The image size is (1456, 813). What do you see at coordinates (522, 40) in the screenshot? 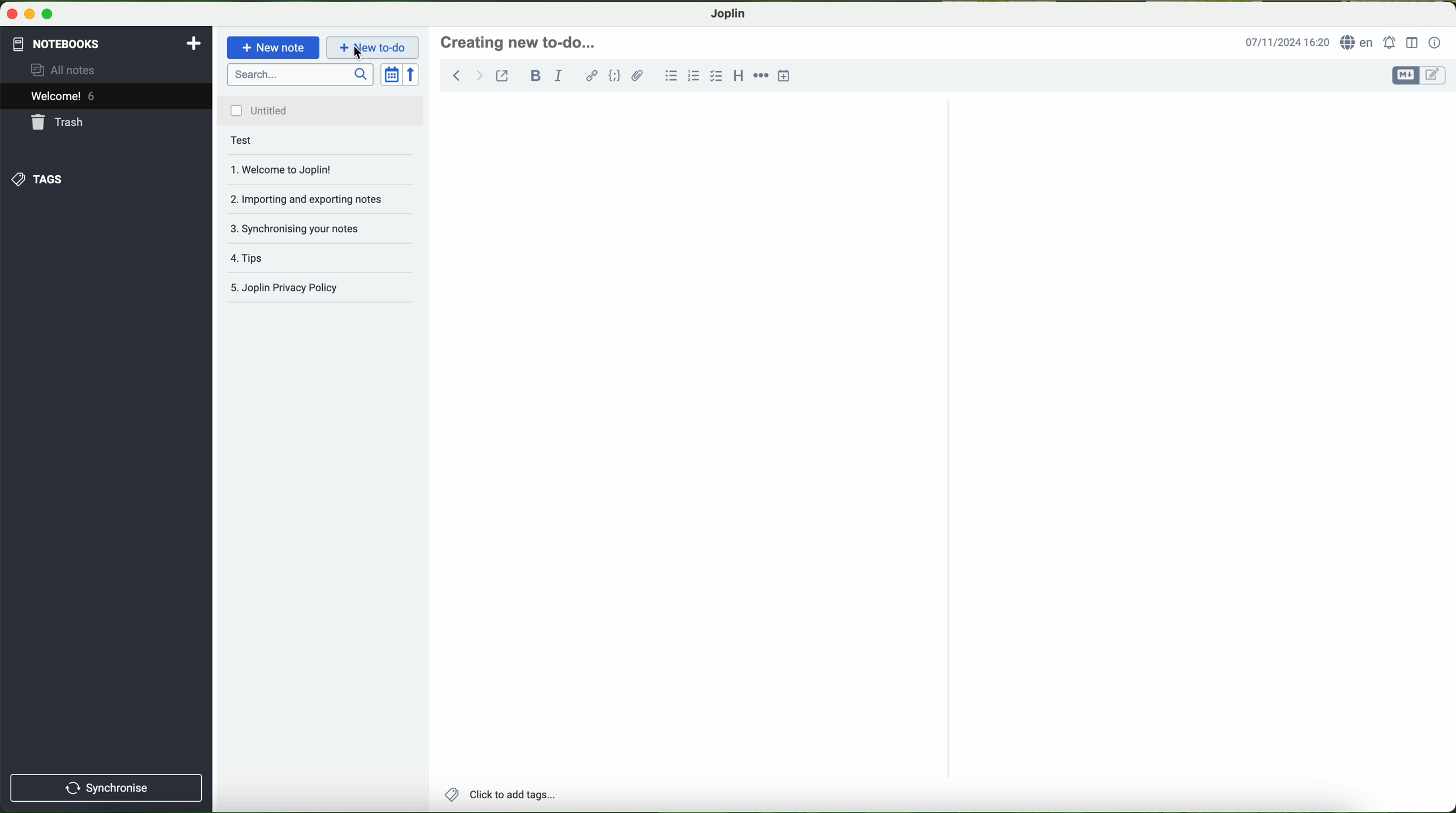
I see `file title` at bounding box center [522, 40].